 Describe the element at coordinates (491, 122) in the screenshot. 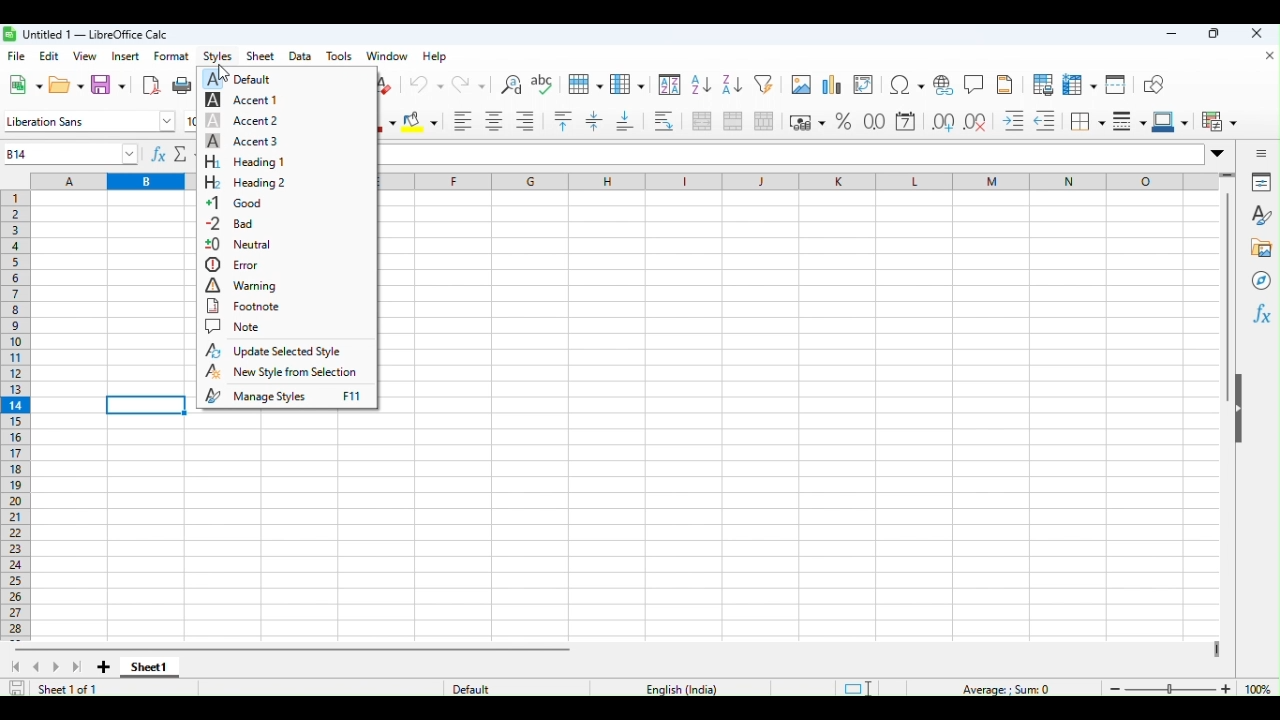

I see `Centre align` at that location.